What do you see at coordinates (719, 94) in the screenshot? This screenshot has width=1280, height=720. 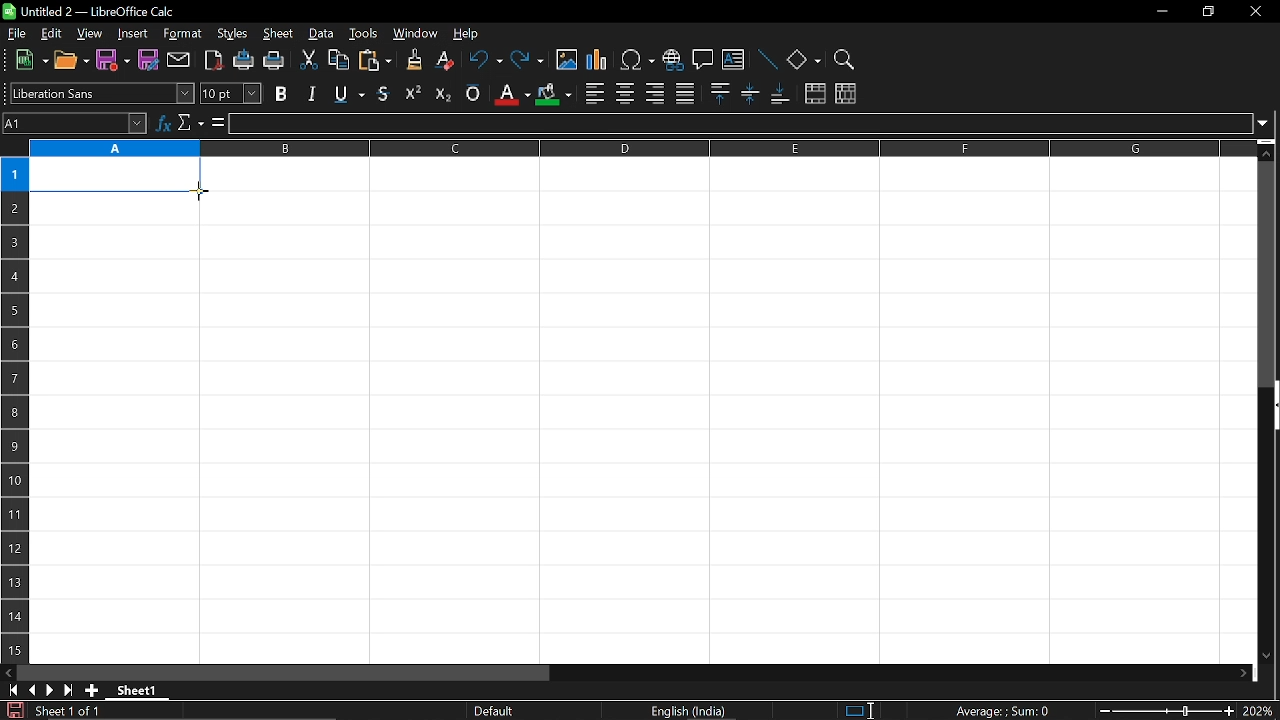 I see `align top` at bounding box center [719, 94].